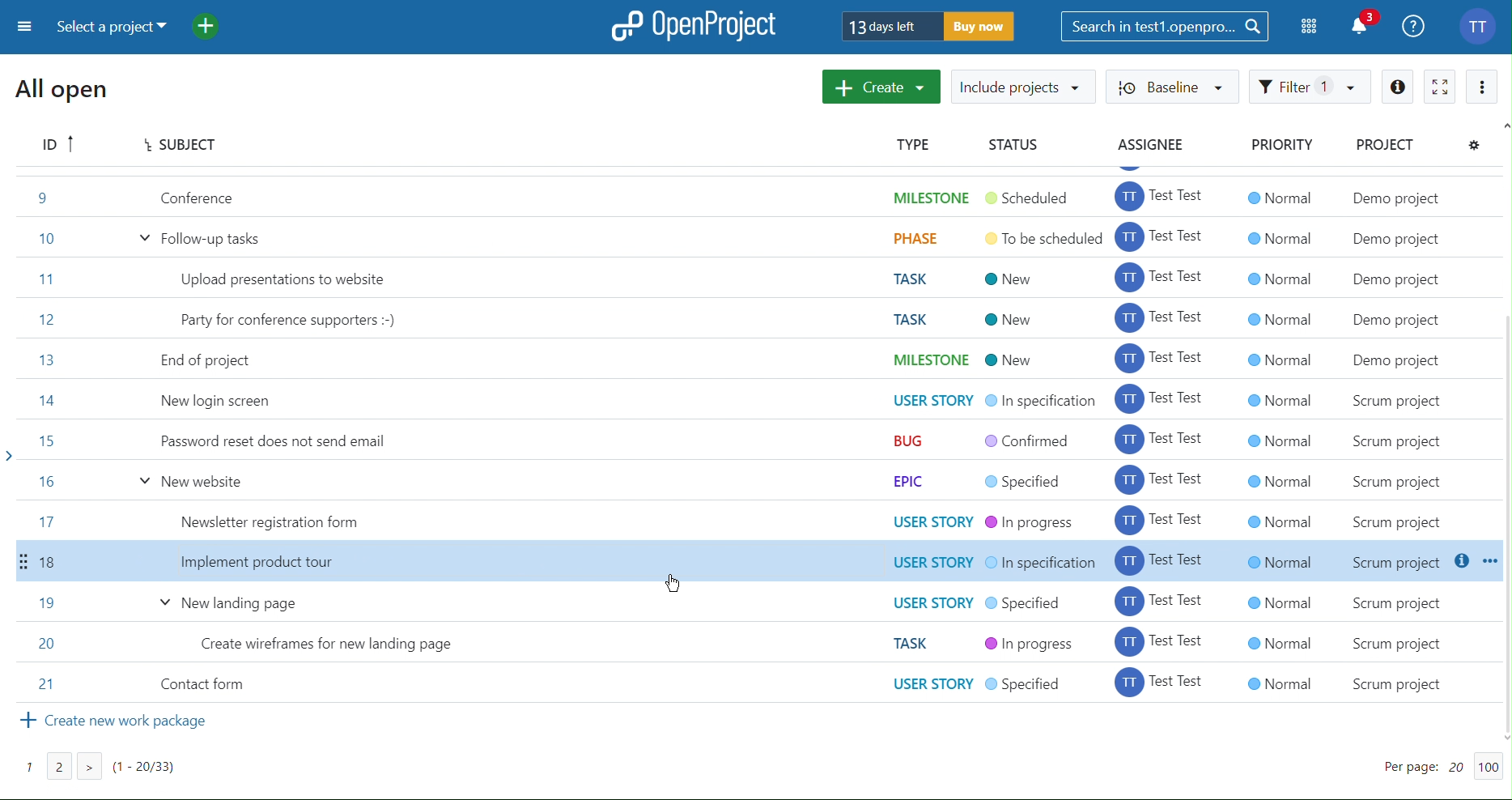 The width and height of the screenshot is (1512, 800). Describe the element at coordinates (1281, 146) in the screenshot. I see `Priority` at that location.